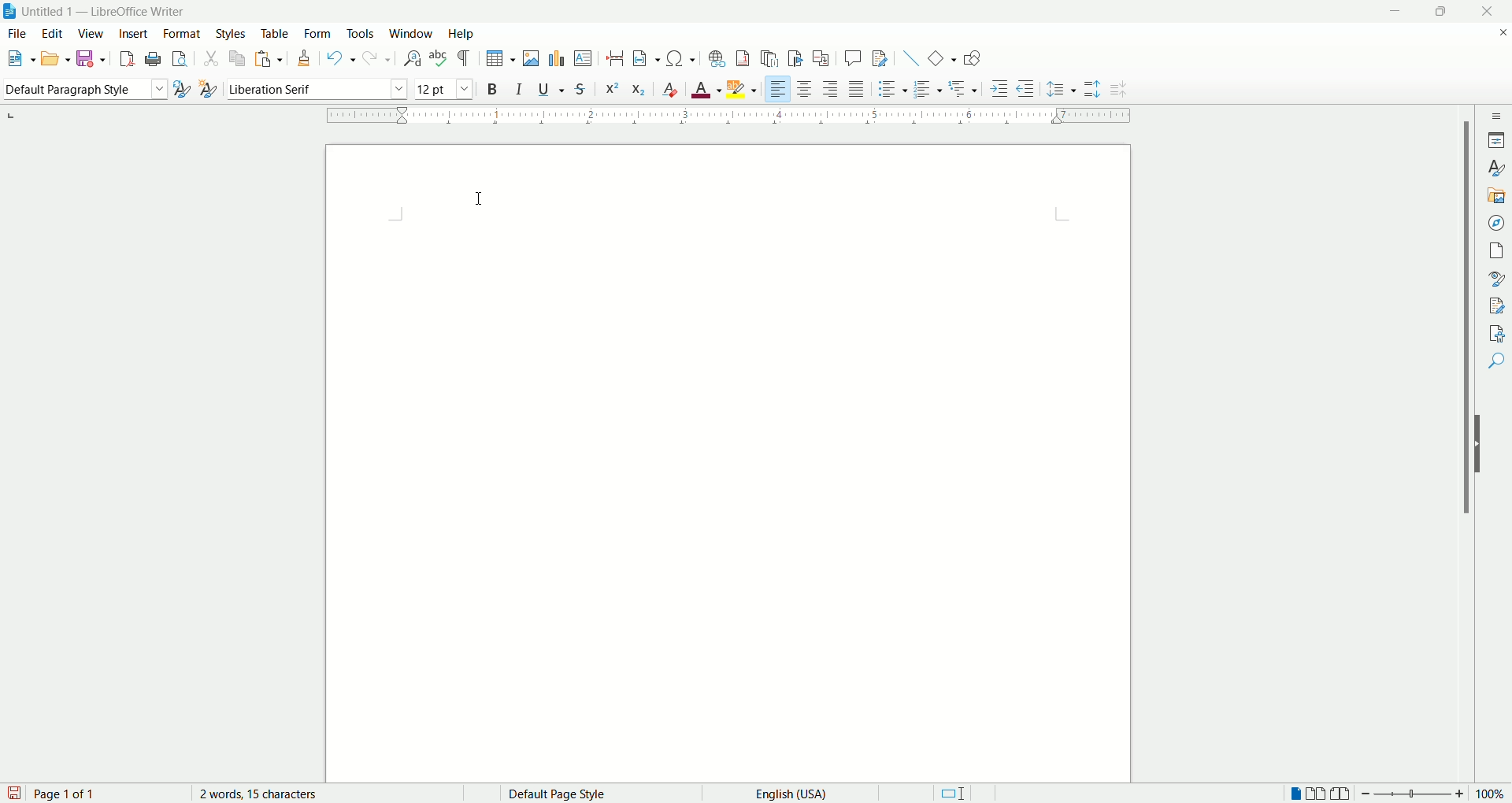 This screenshot has height=803, width=1512. Describe the element at coordinates (268, 59) in the screenshot. I see `paste` at that location.